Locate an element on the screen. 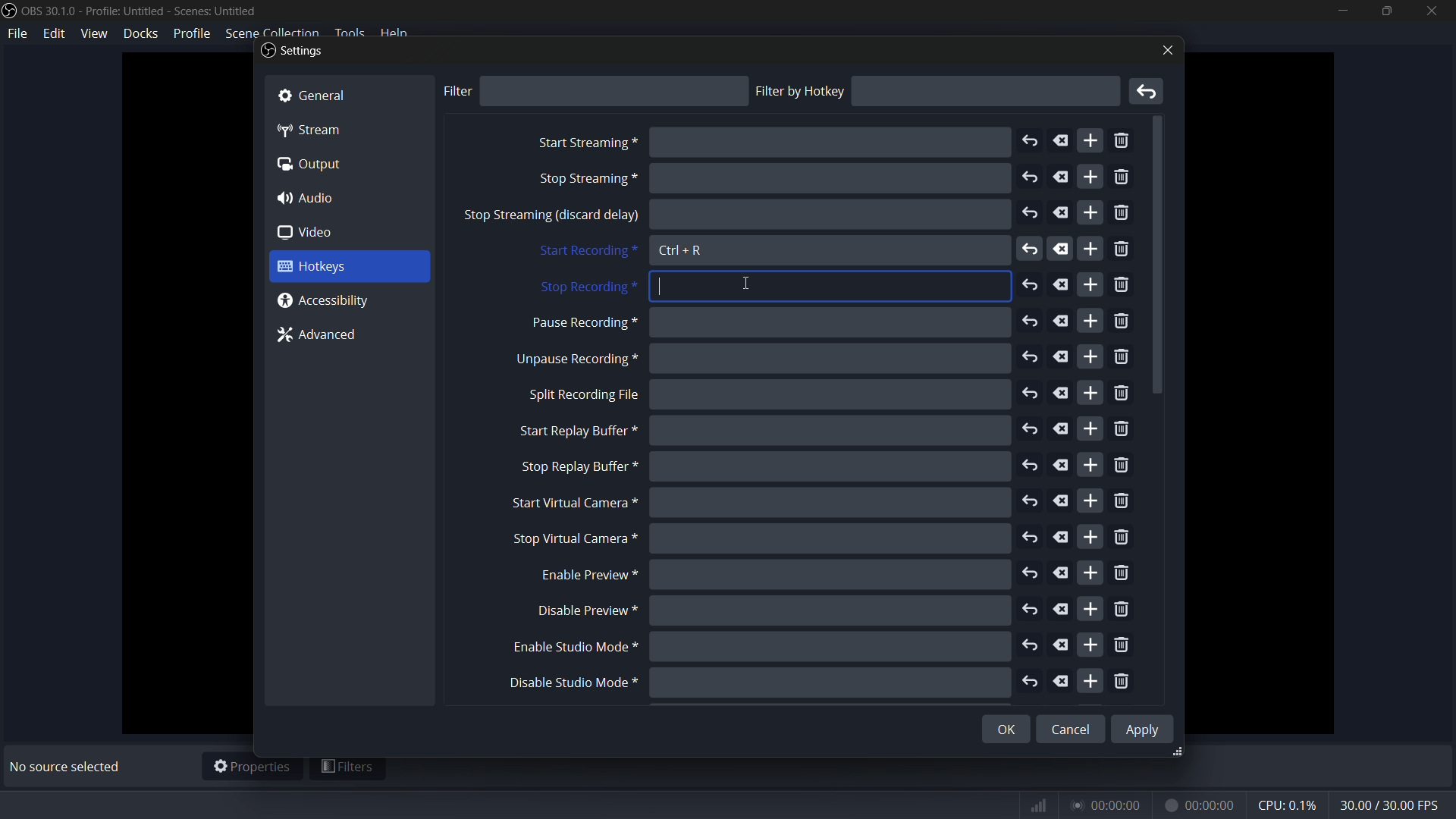  disable studio mode is located at coordinates (571, 683).